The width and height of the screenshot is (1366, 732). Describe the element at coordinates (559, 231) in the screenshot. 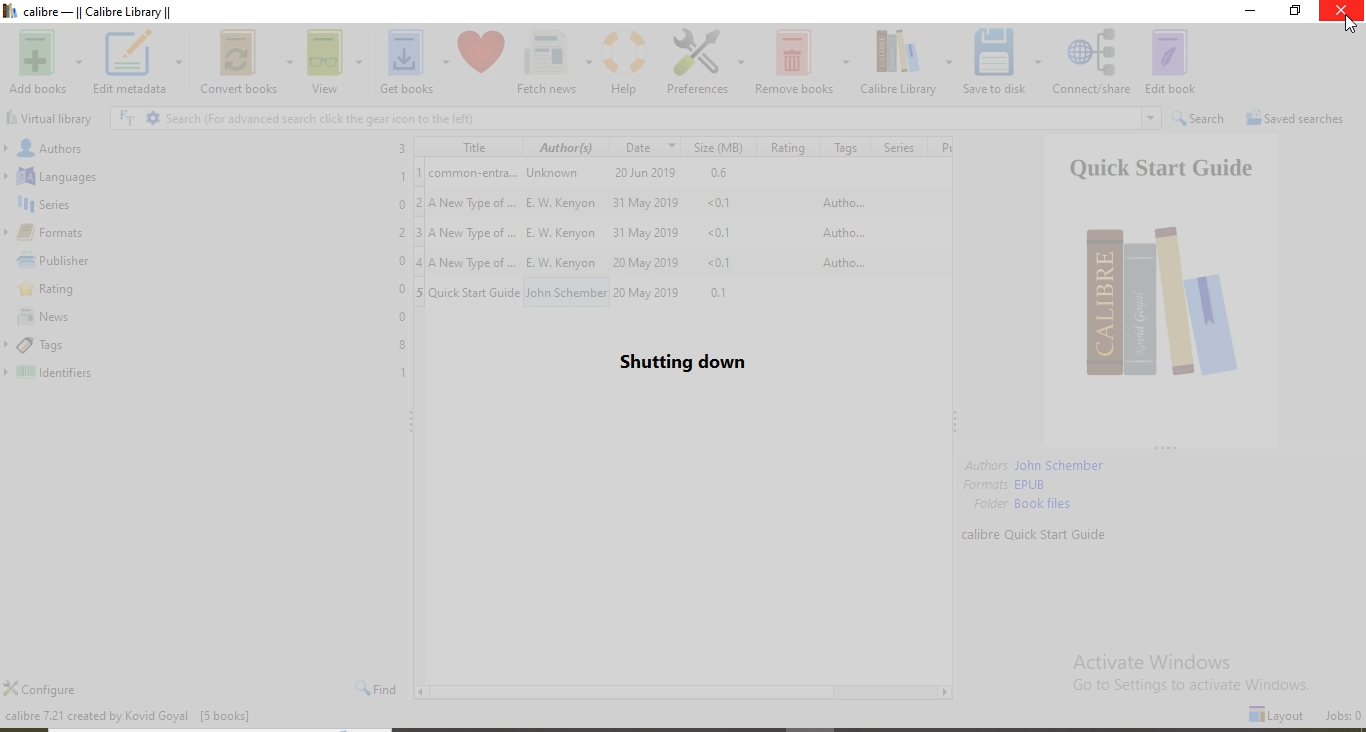

I see `E W Kenyon` at that location.